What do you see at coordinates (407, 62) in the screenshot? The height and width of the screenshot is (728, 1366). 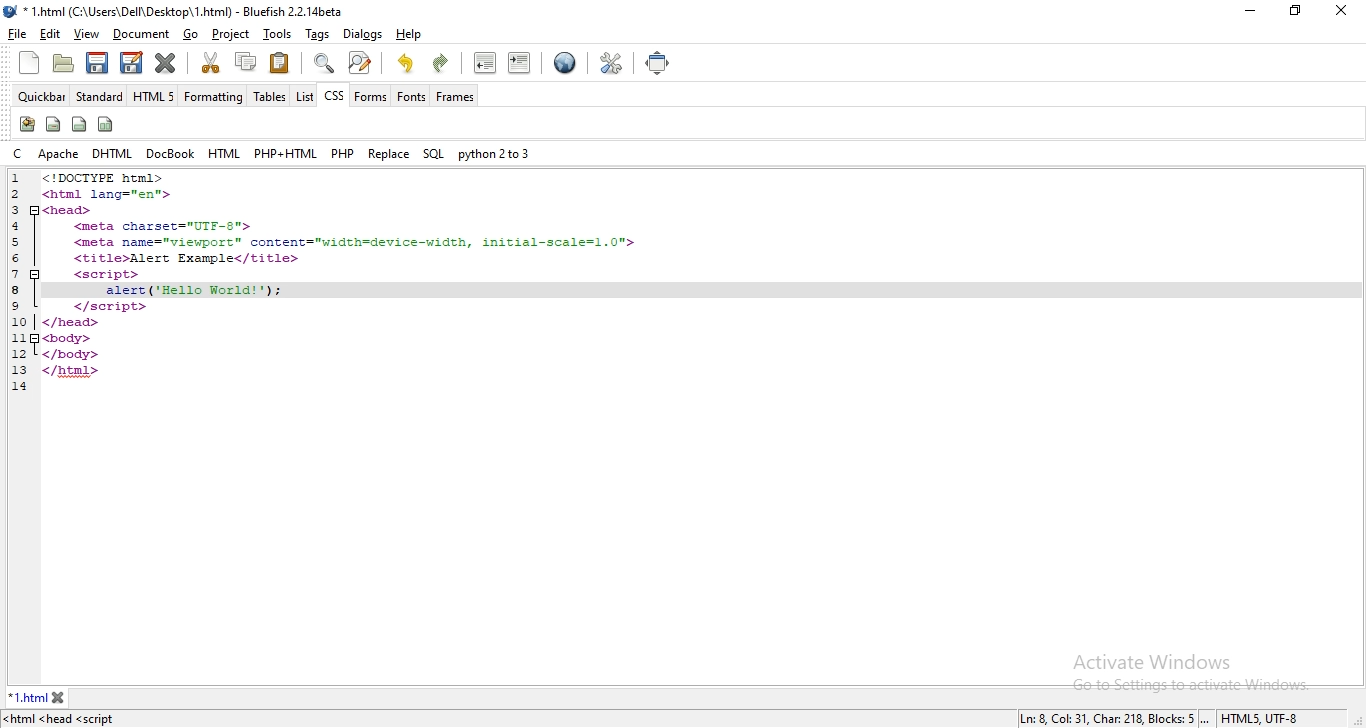 I see `undo` at bounding box center [407, 62].